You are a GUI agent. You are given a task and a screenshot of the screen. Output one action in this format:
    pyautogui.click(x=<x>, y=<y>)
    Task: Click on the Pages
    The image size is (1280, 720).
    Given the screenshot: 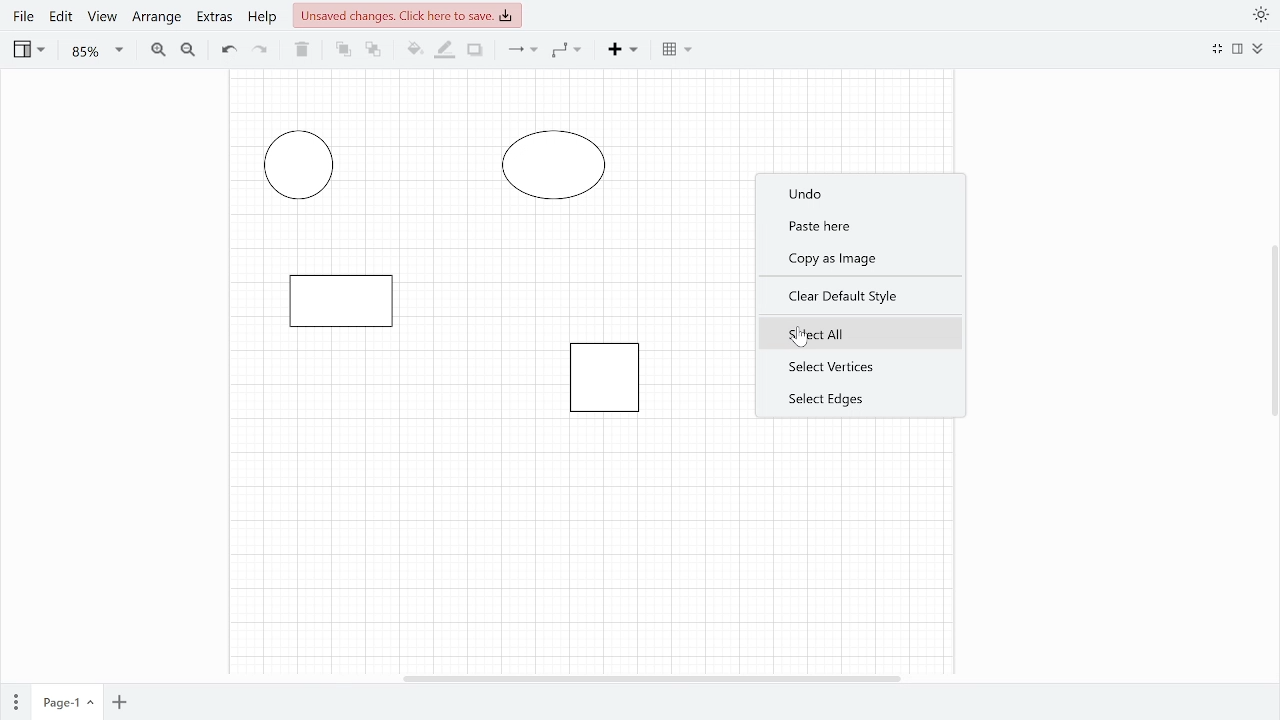 What is the action you would take?
    pyautogui.click(x=17, y=698)
    